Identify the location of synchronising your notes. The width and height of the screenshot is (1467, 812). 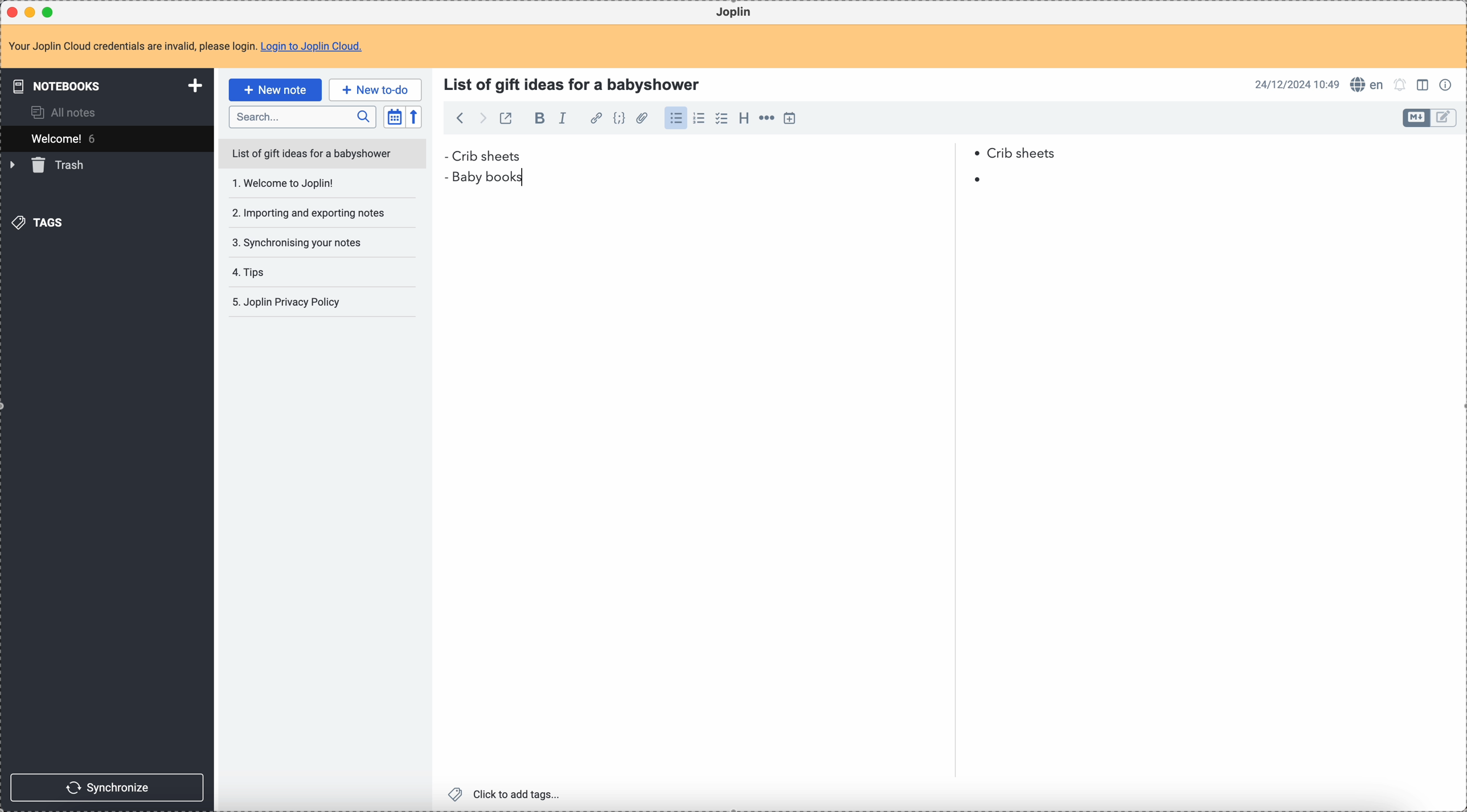
(306, 243).